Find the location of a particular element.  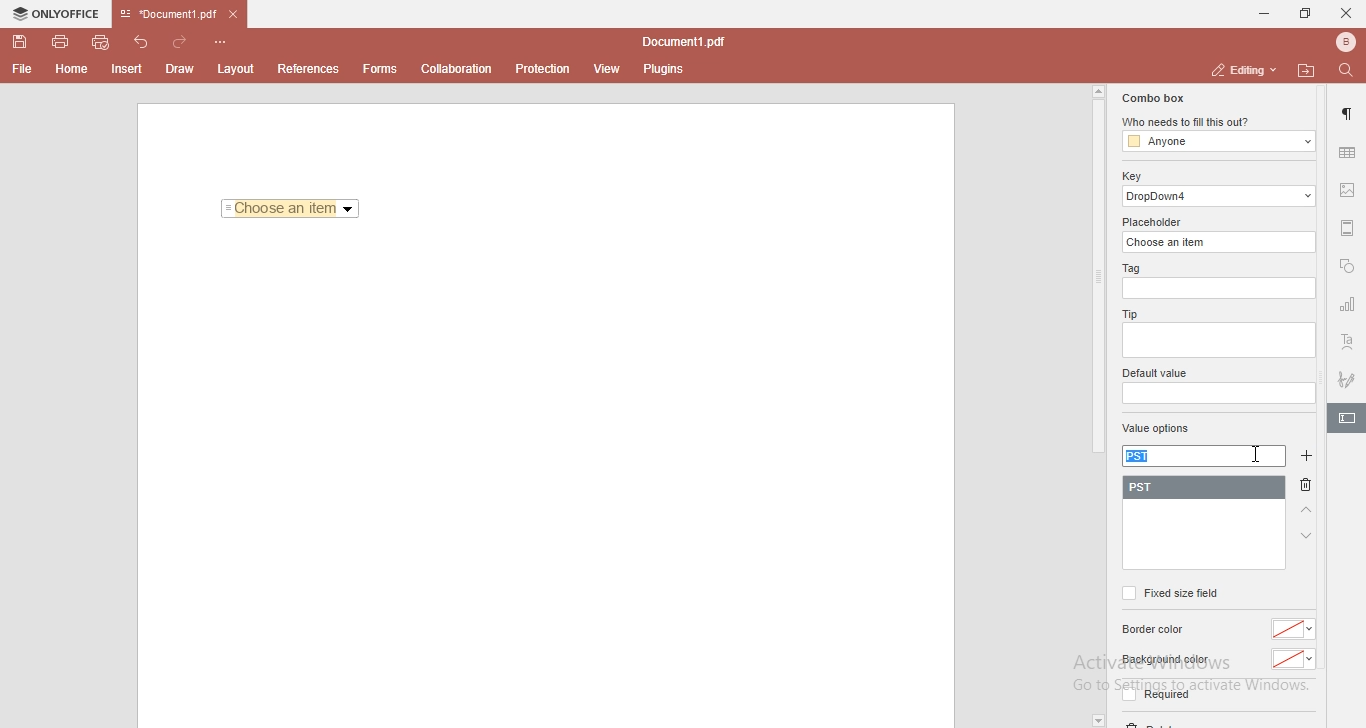

plugins is located at coordinates (664, 70).